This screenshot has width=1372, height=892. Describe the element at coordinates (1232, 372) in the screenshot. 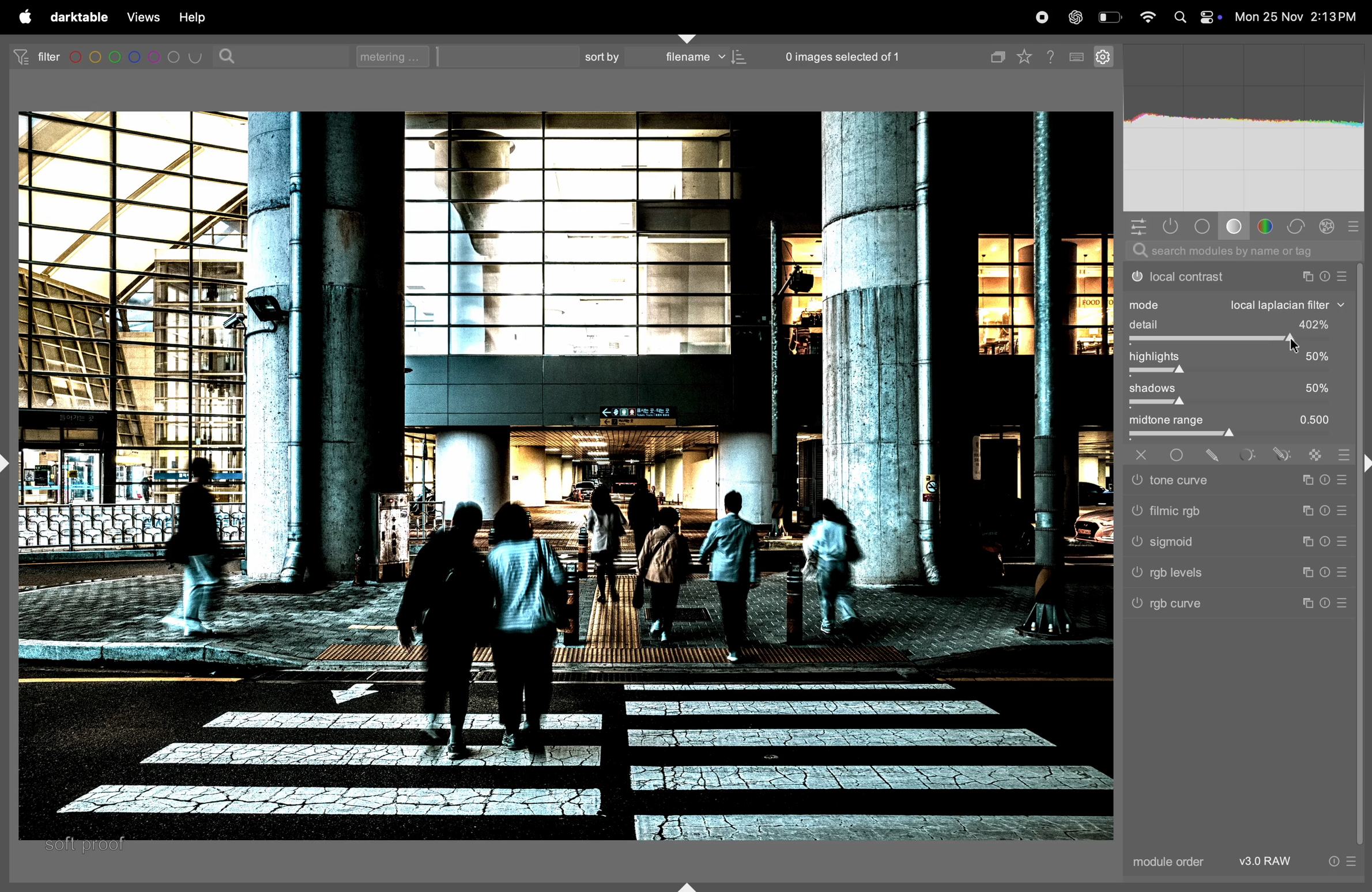

I see `toggle` at that location.